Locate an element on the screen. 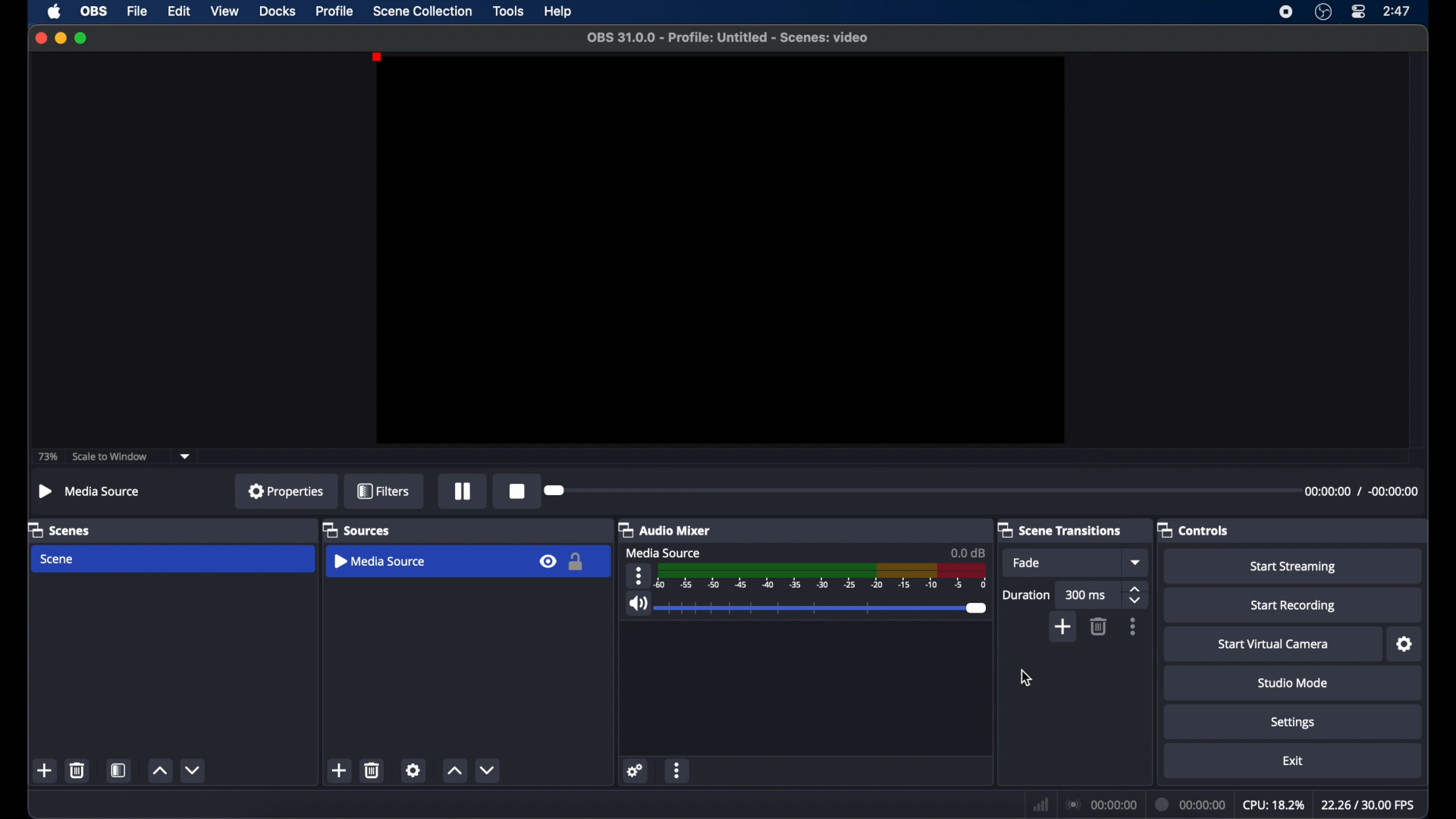  timeline  is located at coordinates (823, 576).